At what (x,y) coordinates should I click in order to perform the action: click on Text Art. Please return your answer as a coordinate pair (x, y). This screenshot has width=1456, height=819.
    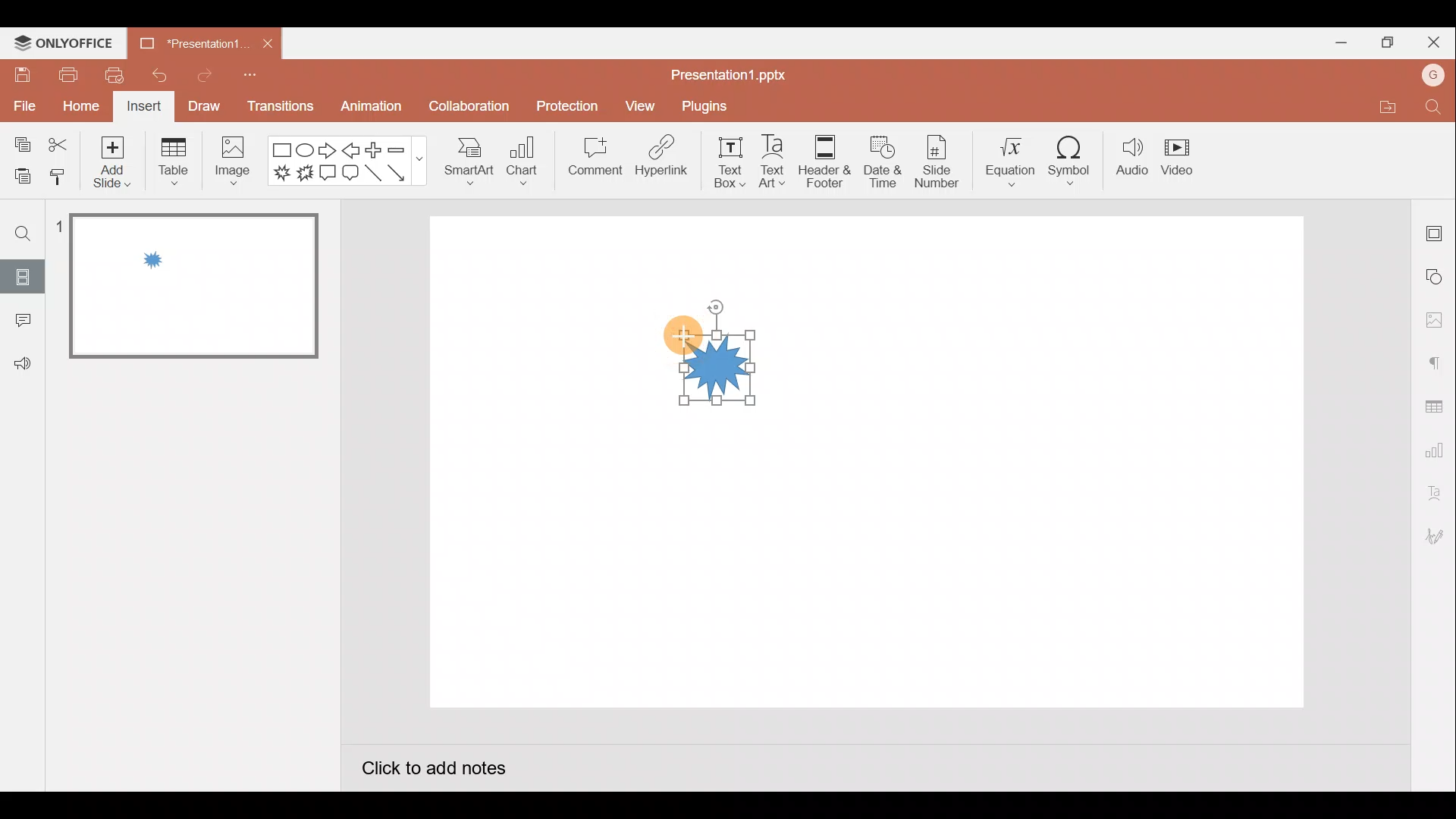
    Looking at the image, I should click on (770, 162).